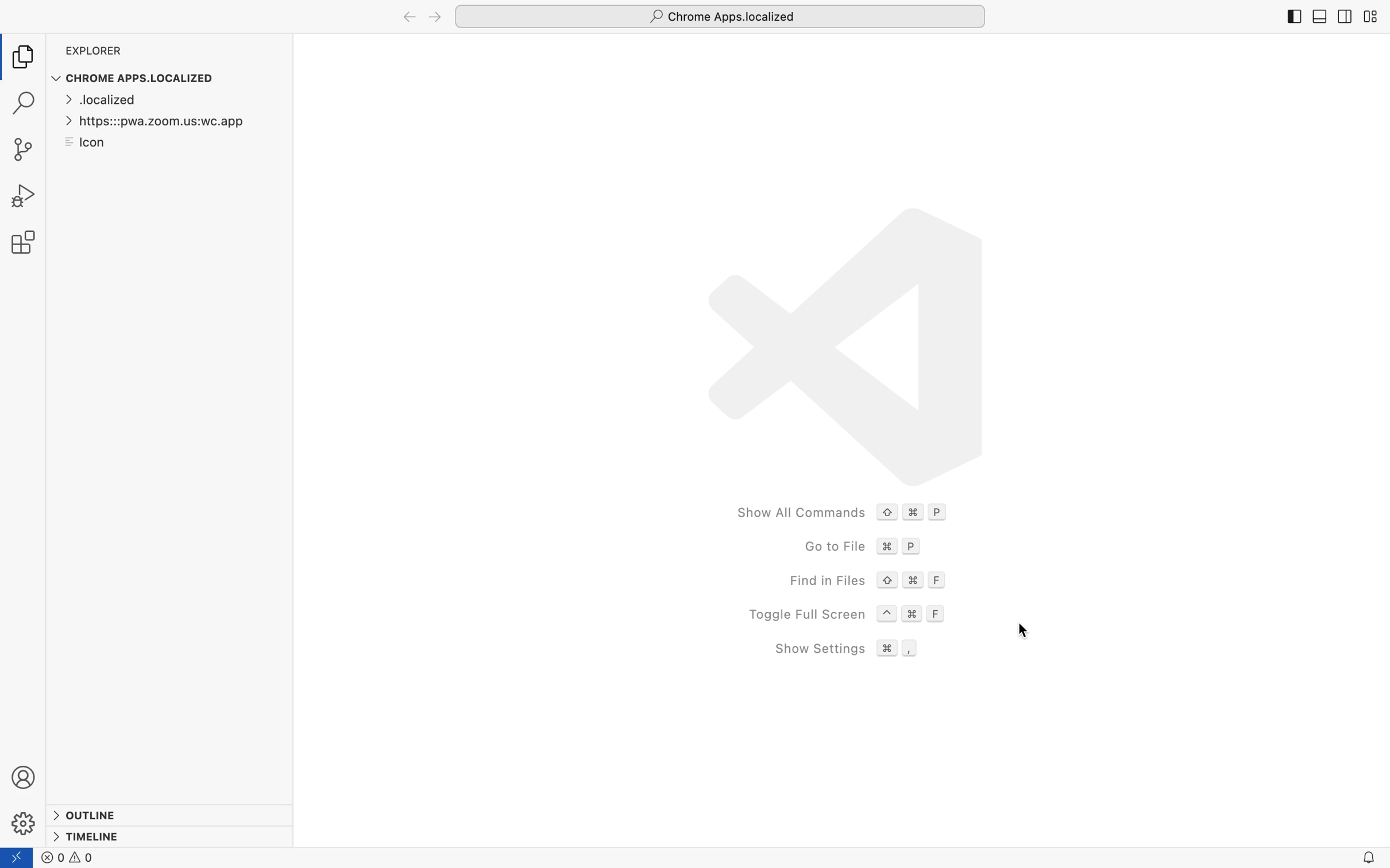 The height and width of the screenshot is (868, 1390). What do you see at coordinates (20, 857) in the screenshot?
I see `open a remote window` at bounding box center [20, 857].